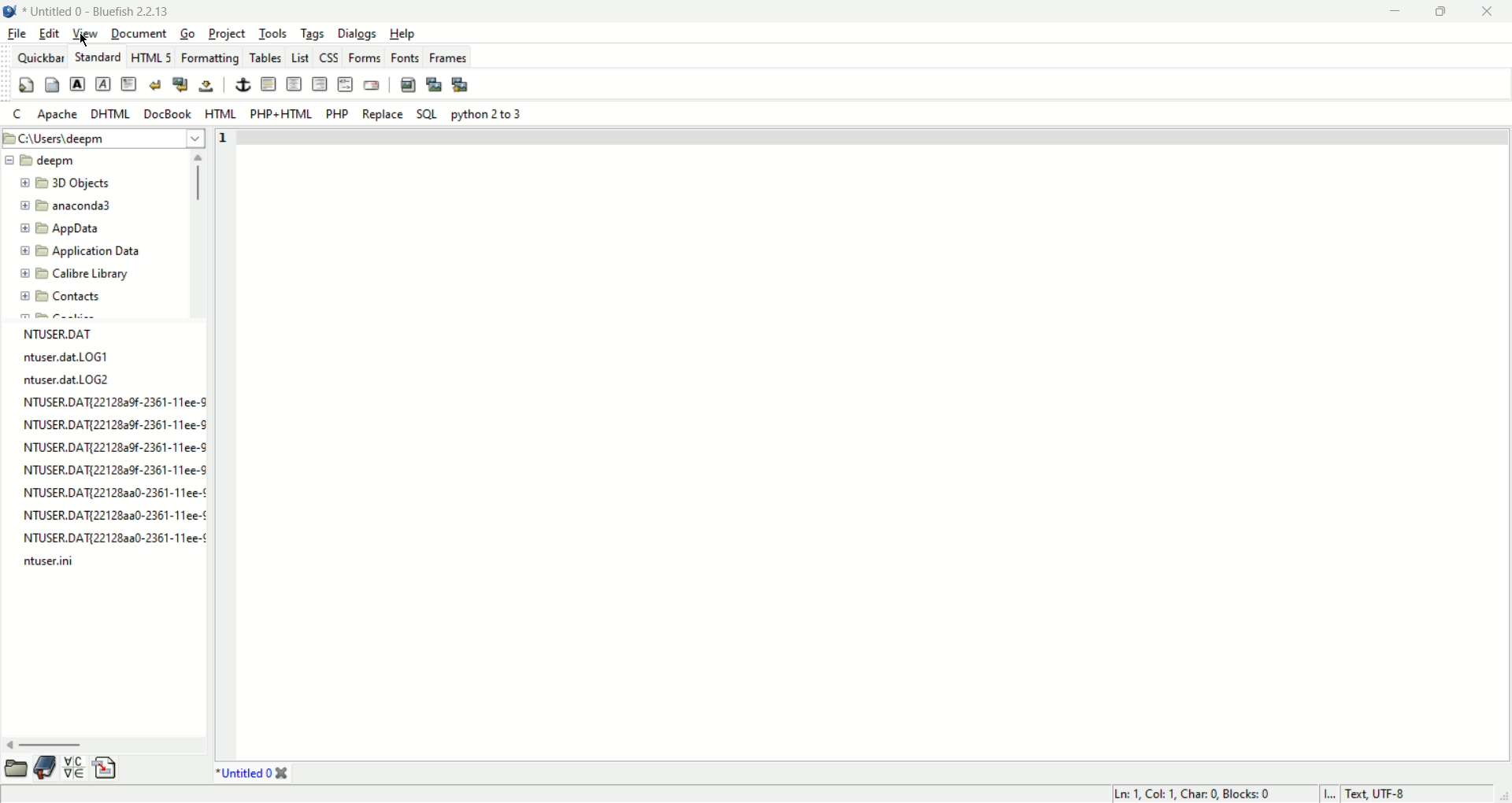  Describe the element at coordinates (84, 251) in the screenshot. I see `application` at that location.